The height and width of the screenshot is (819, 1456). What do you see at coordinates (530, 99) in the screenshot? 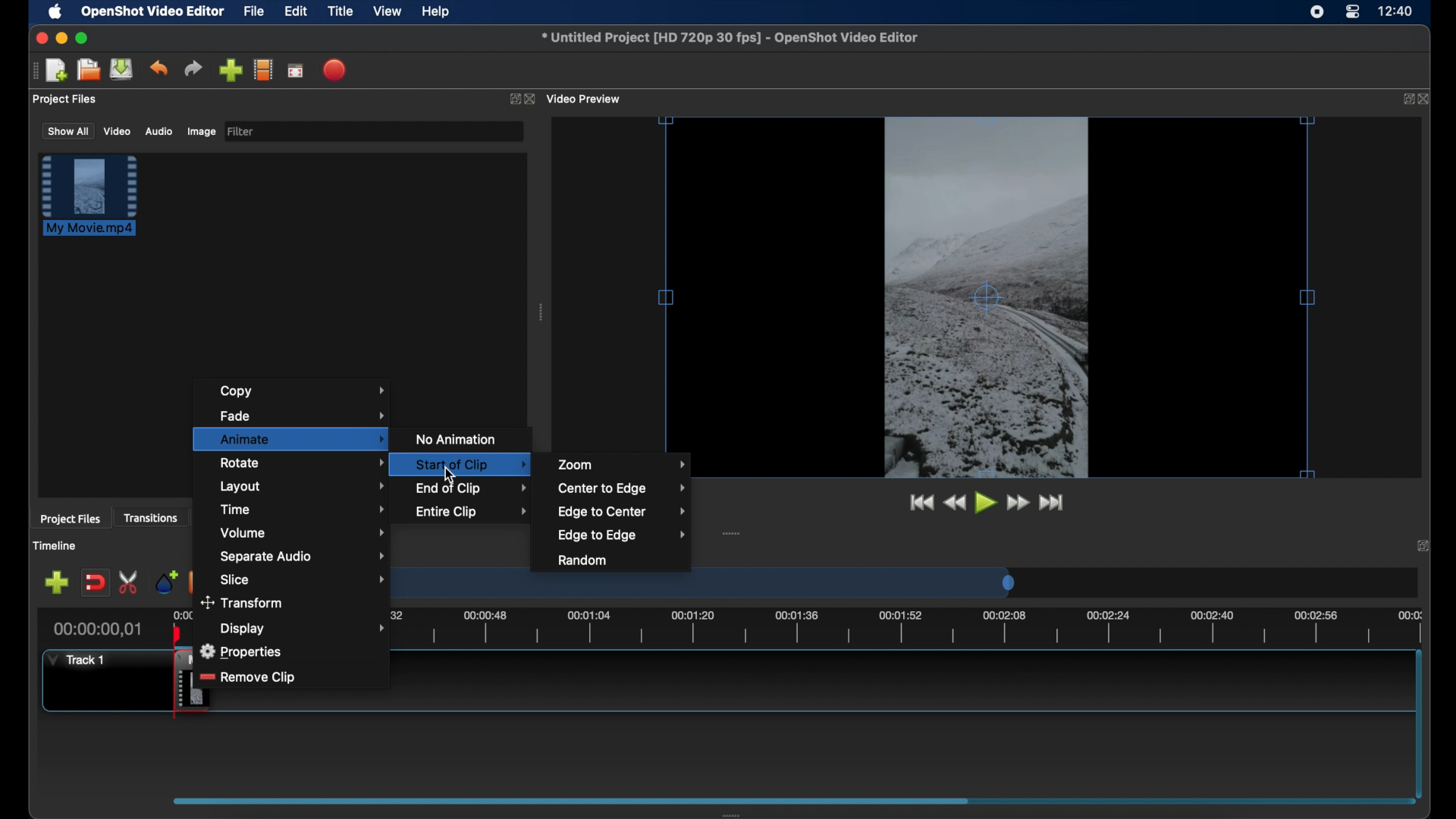
I see `close` at bounding box center [530, 99].